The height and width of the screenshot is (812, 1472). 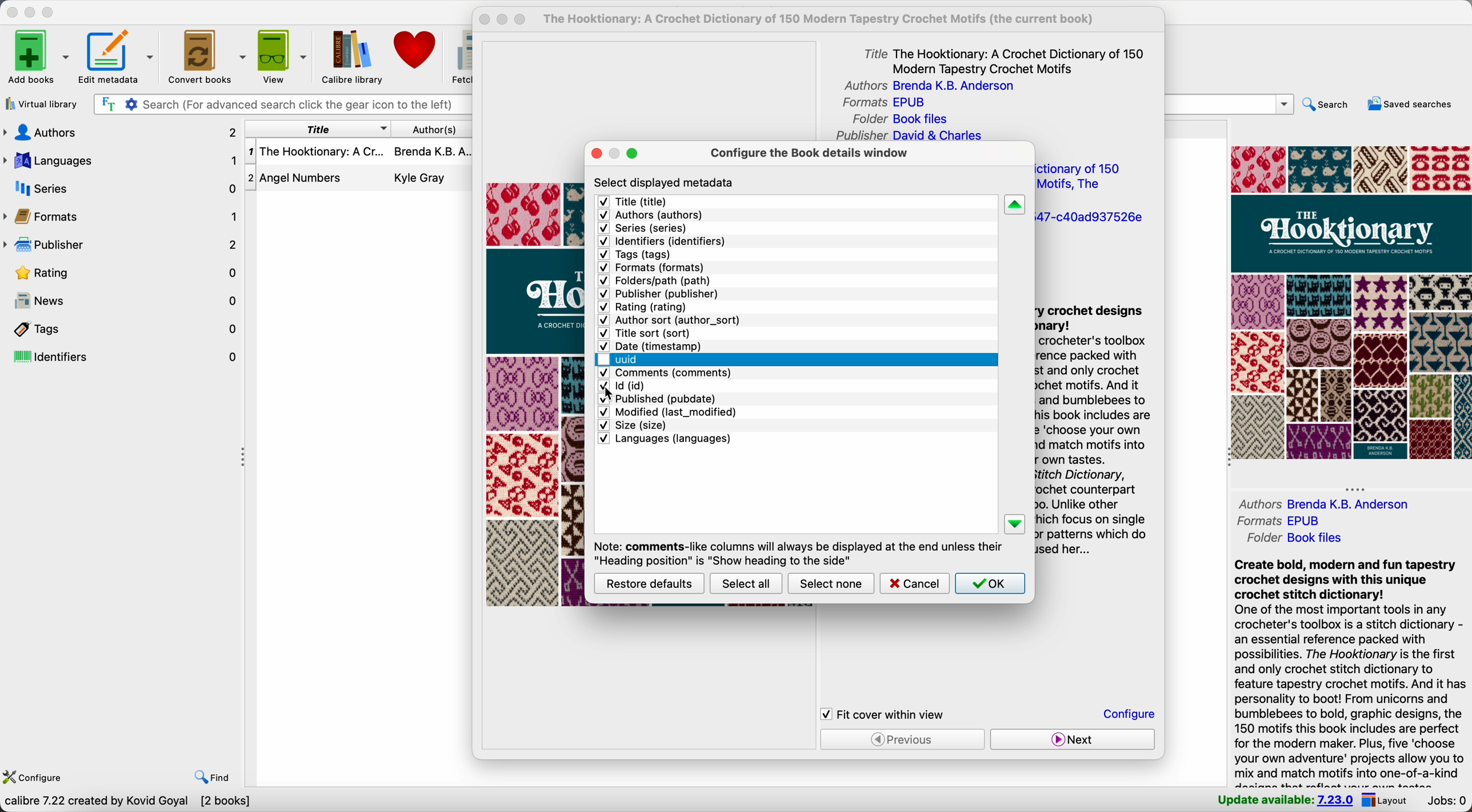 What do you see at coordinates (130, 274) in the screenshot?
I see `rating` at bounding box center [130, 274].